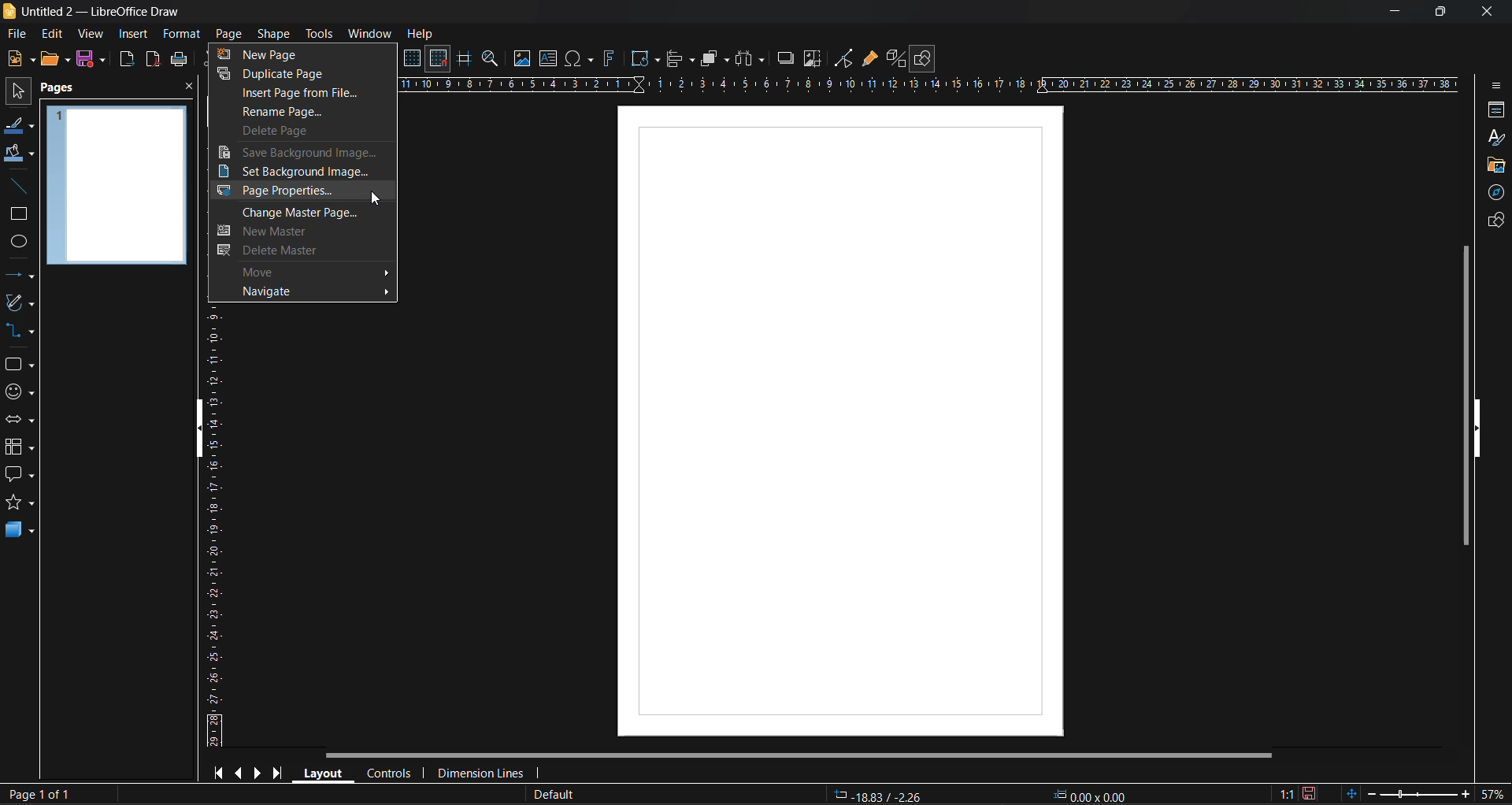  What do you see at coordinates (872, 60) in the screenshot?
I see `show gluepoint` at bounding box center [872, 60].